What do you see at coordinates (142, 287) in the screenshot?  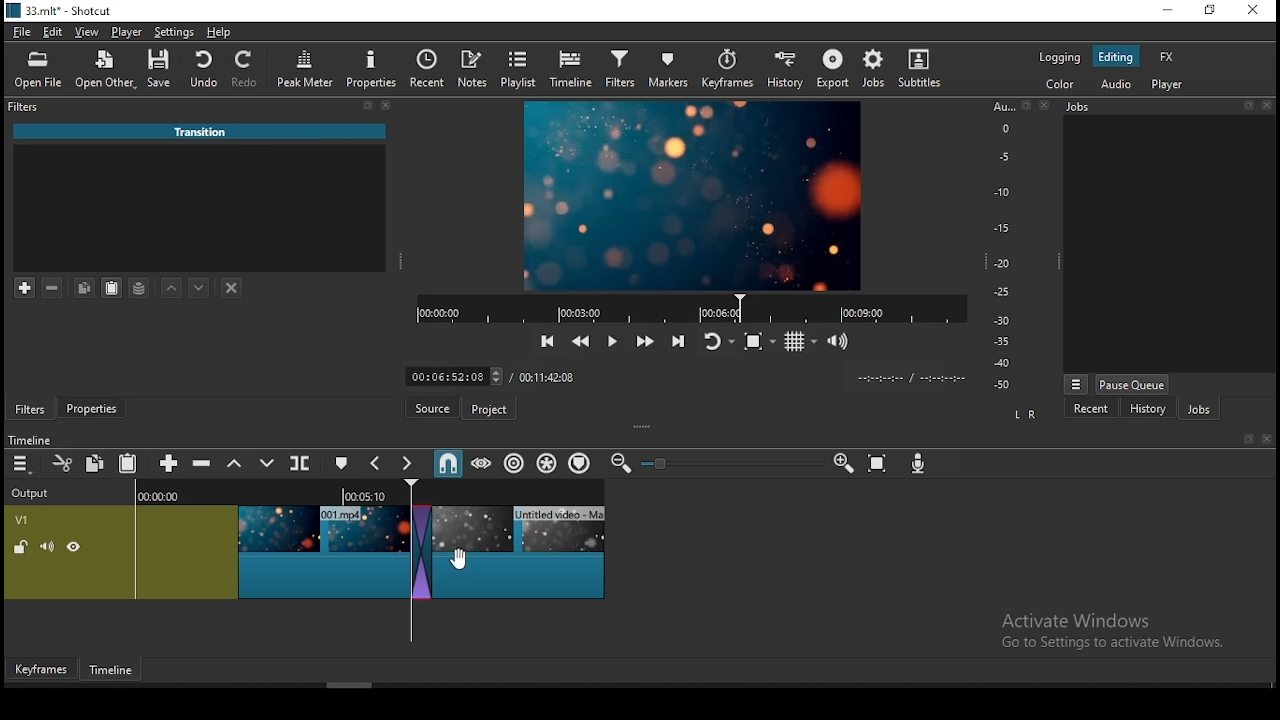 I see `save filter sets` at bounding box center [142, 287].